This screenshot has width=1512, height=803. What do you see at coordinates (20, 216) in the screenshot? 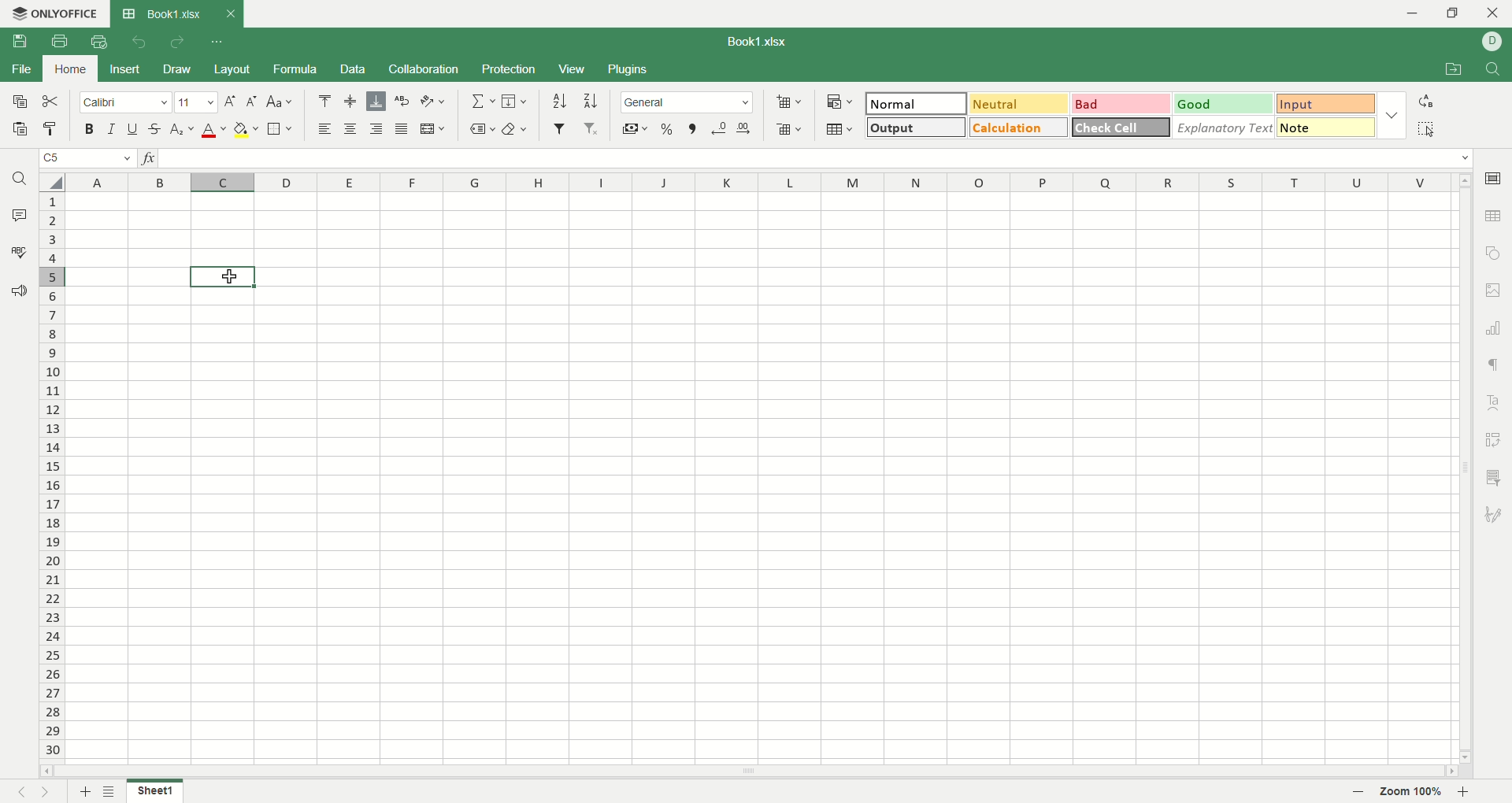
I see `comments` at bounding box center [20, 216].